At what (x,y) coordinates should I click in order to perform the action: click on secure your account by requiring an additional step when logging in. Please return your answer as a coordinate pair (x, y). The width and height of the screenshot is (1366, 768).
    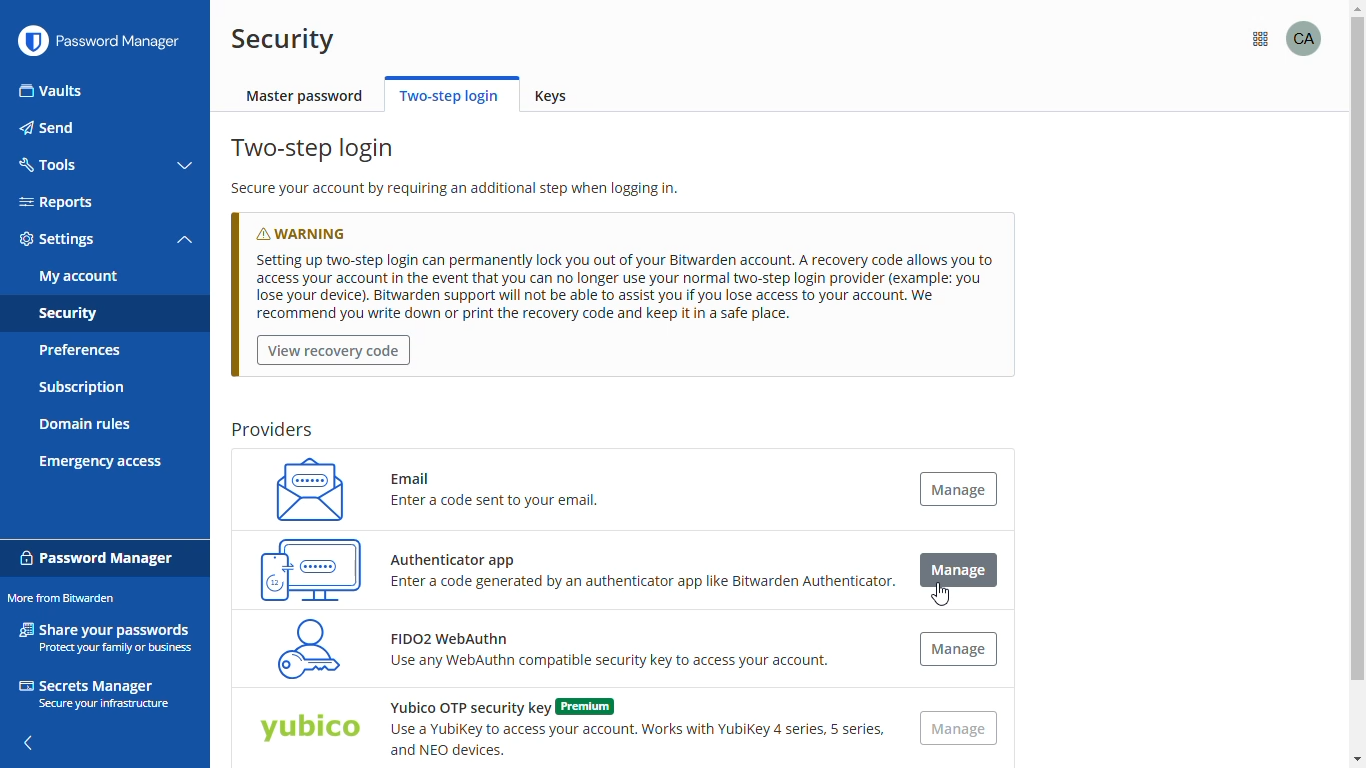
    Looking at the image, I should click on (457, 191).